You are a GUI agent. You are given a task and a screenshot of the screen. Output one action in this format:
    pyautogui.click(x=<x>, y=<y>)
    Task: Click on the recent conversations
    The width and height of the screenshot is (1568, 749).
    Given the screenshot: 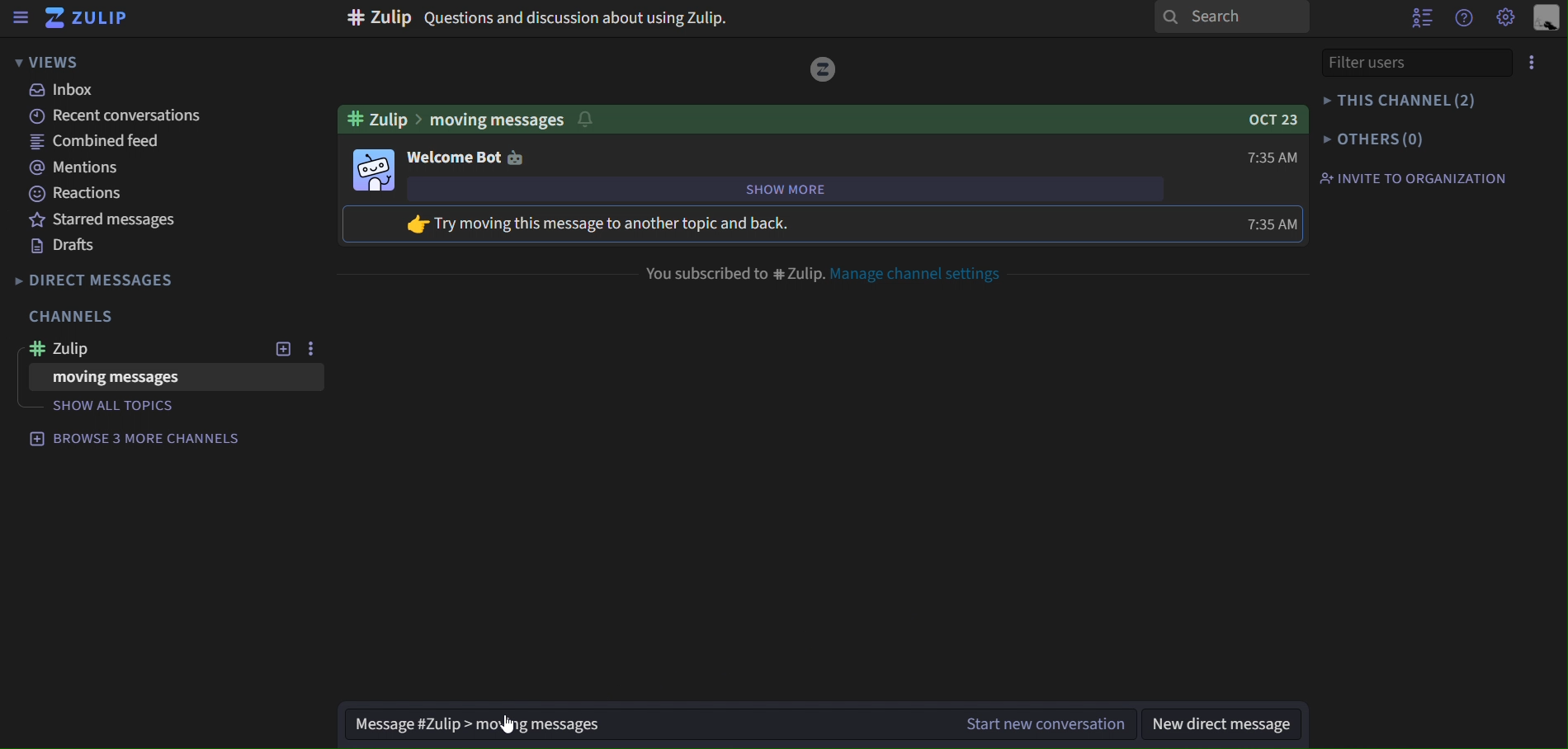 What is the action you would take?
    pyautogui.click(x=122, y=118)
    